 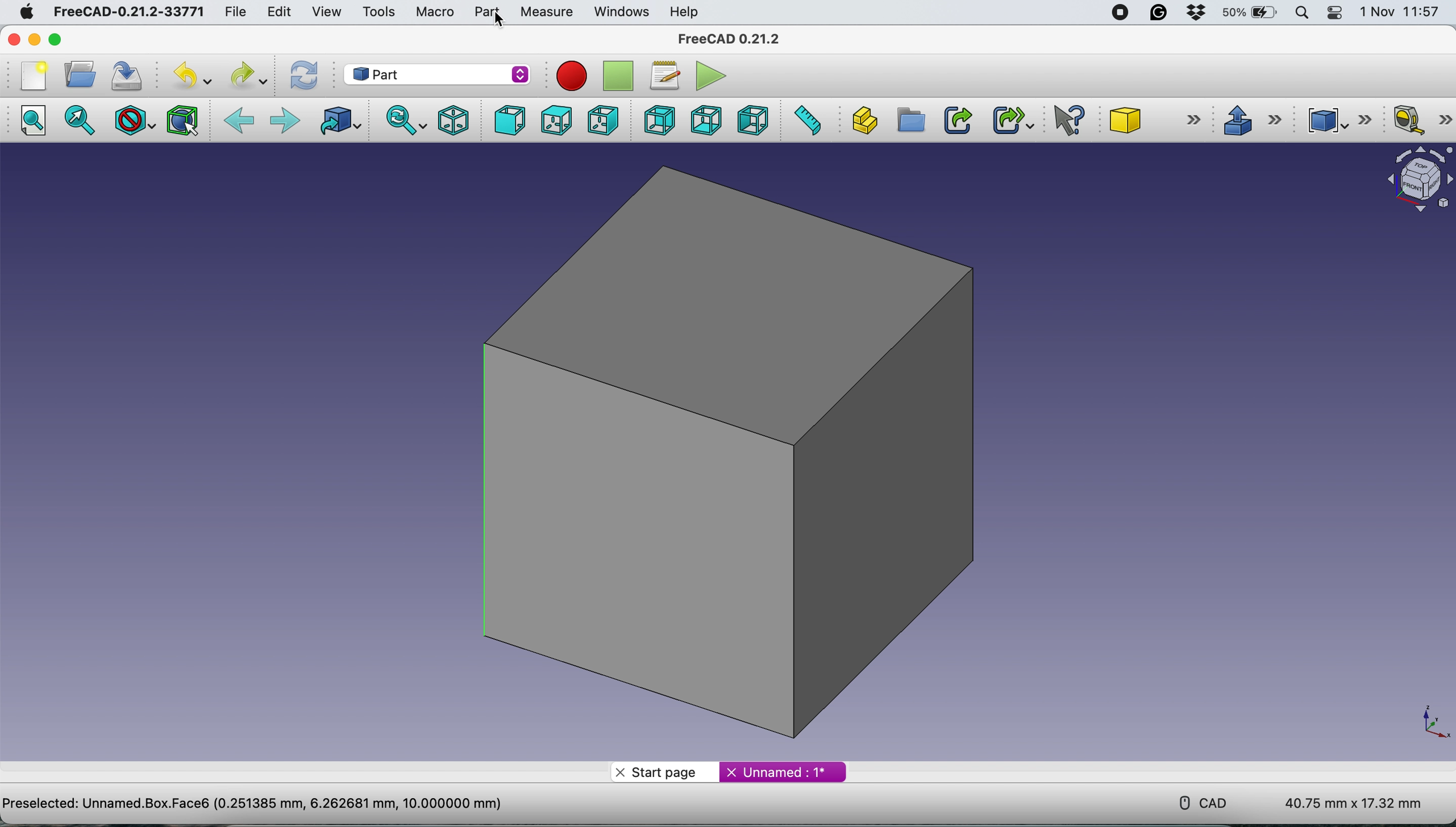 I want to click on macro, so click(x=434, y=11).